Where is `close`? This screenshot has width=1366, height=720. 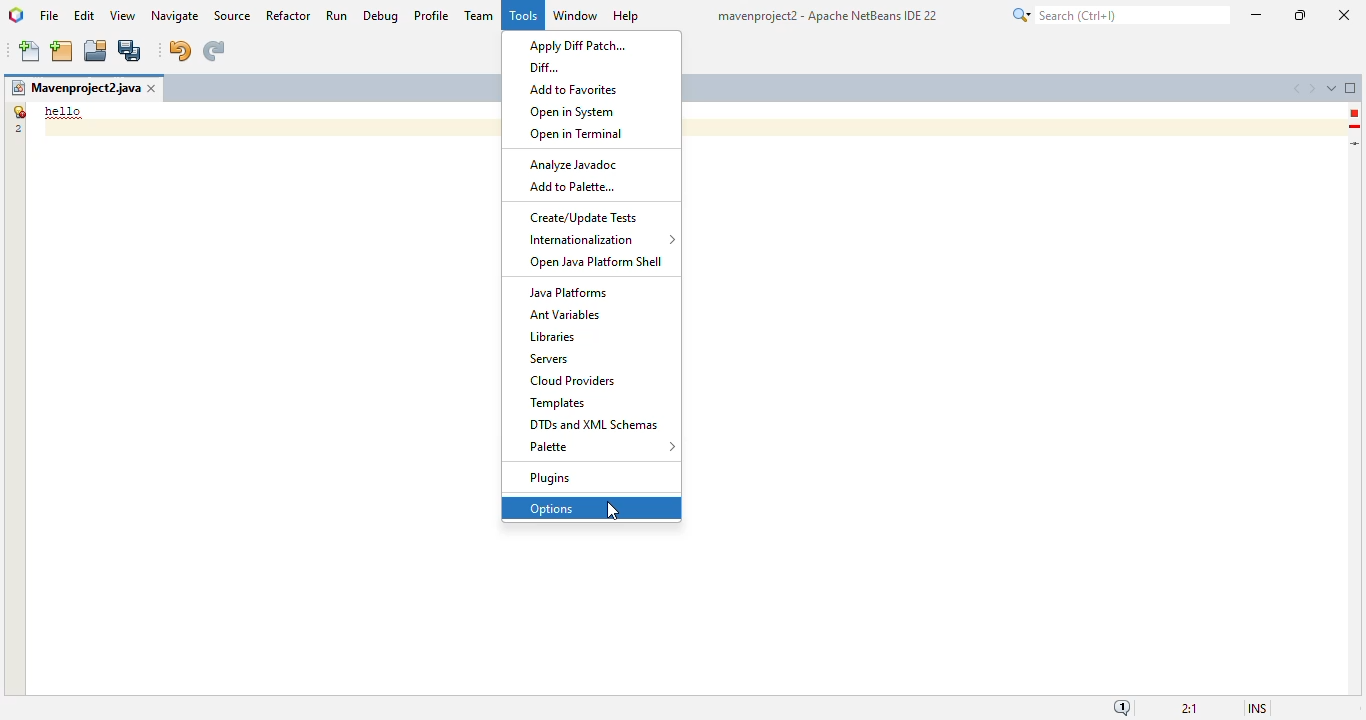 close is located at coordinates (1345, 16).